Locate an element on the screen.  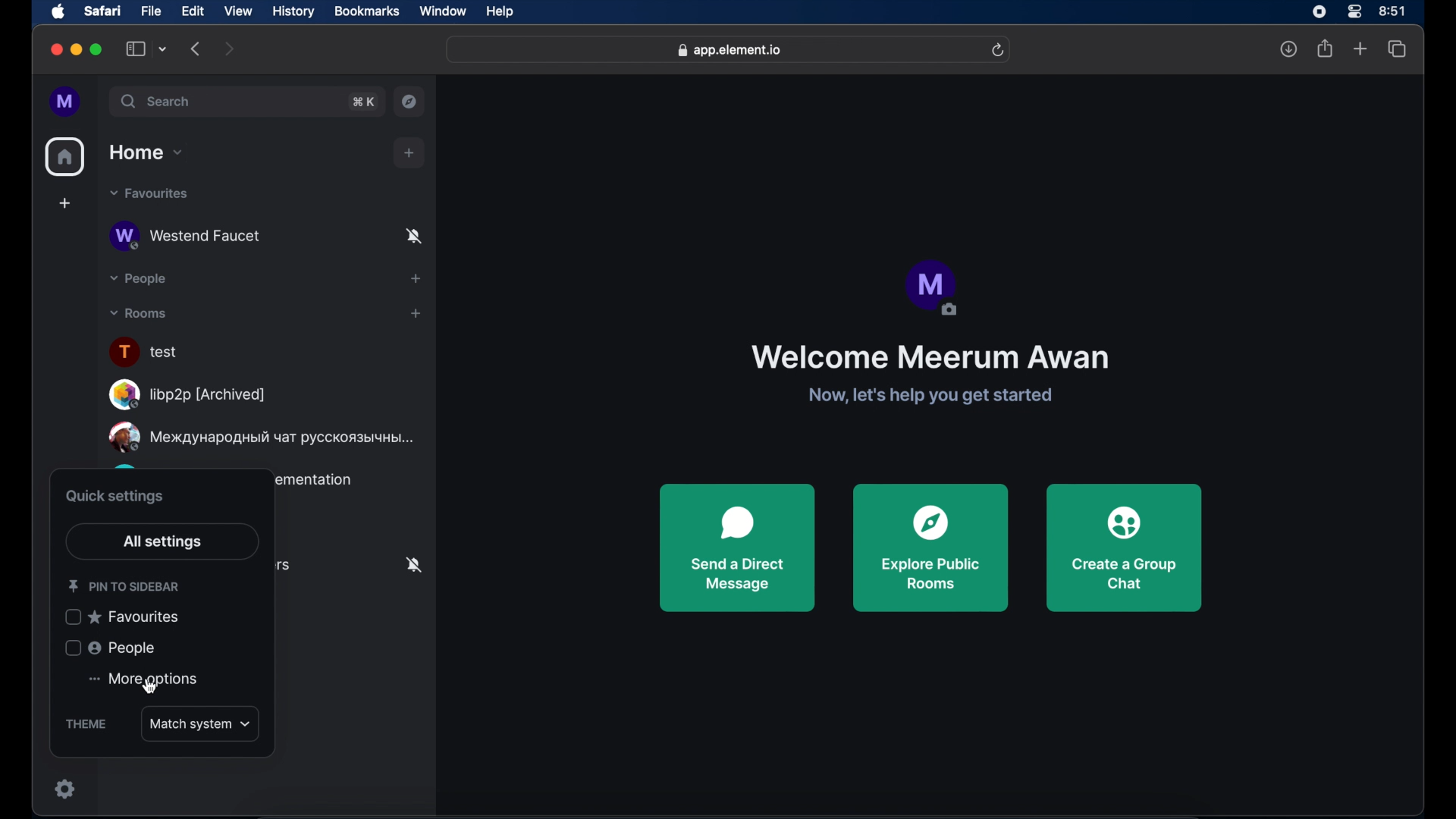
search shortcut is located at coordinates (363, 102).